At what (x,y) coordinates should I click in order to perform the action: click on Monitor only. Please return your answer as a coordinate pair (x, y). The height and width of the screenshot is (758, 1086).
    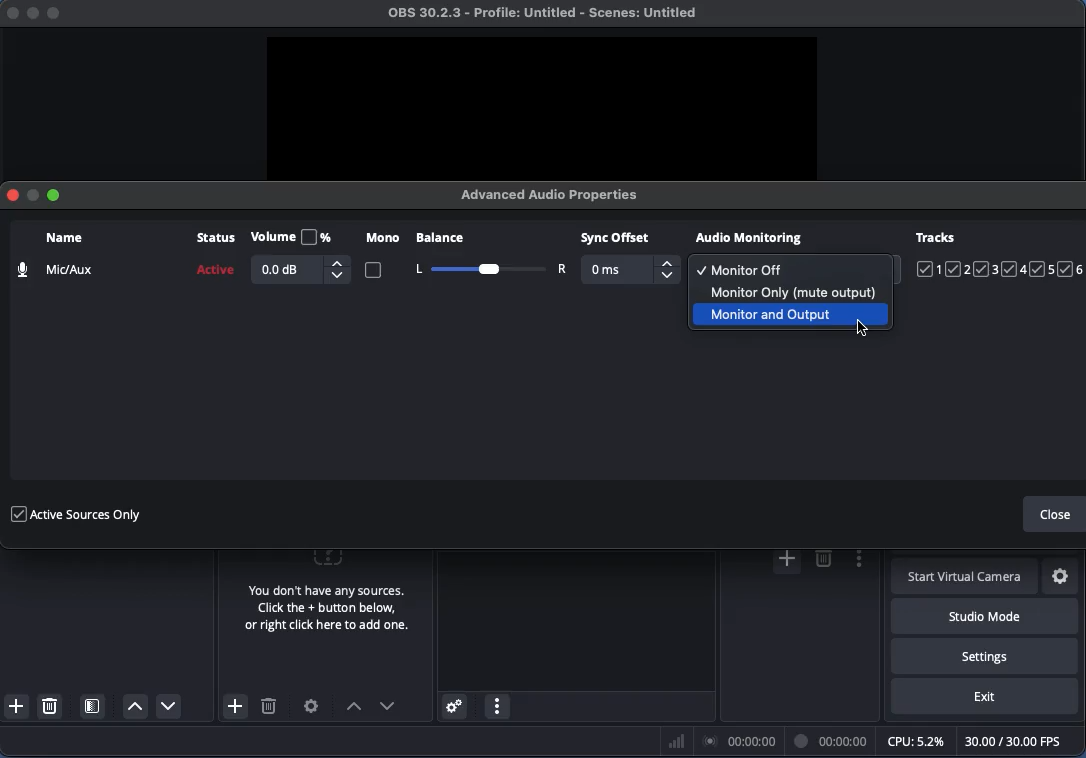
    Looking at the image, I should click on (790, 289).